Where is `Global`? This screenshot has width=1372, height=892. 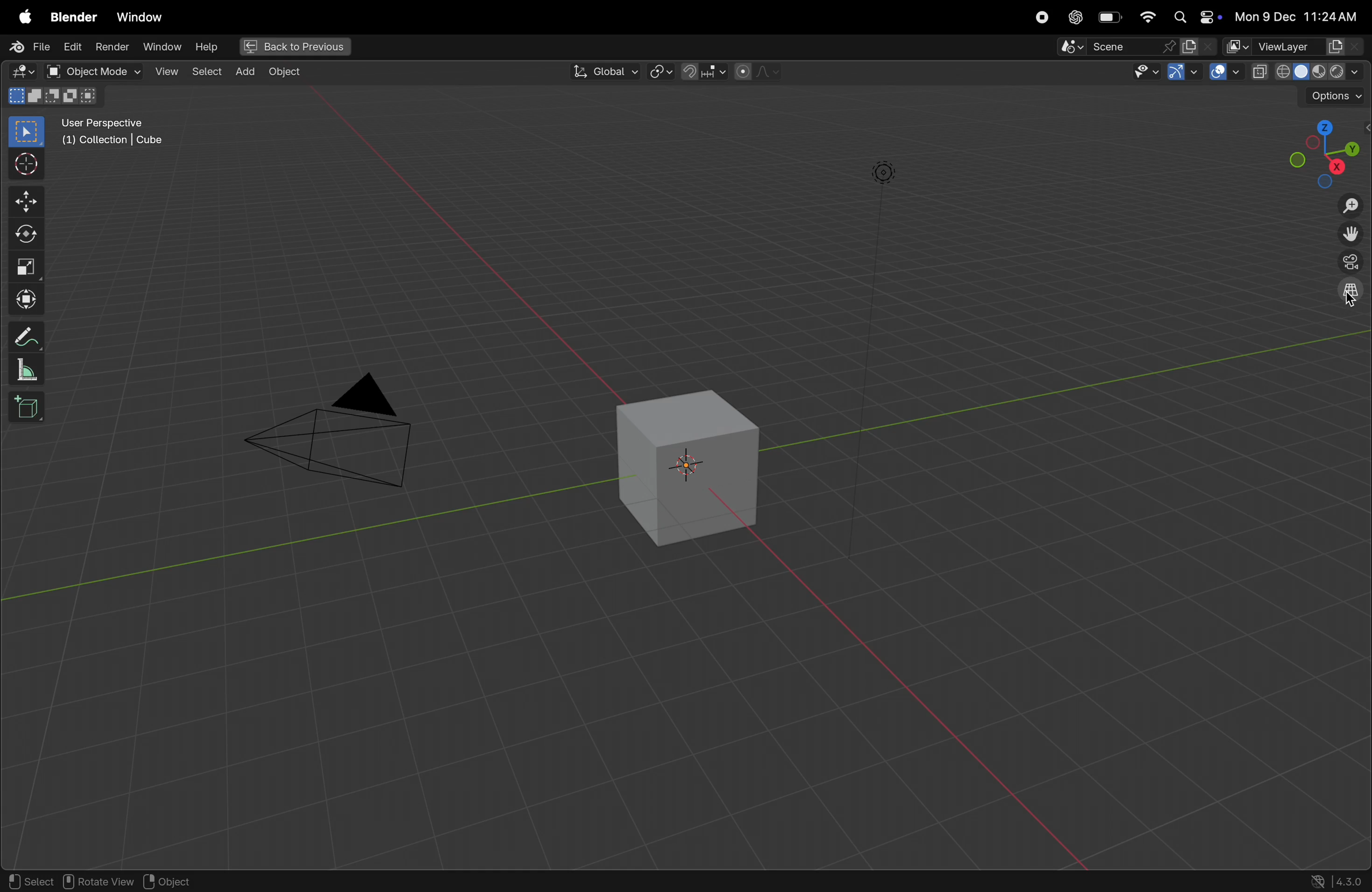 Global is located at coordinates (605, 70).